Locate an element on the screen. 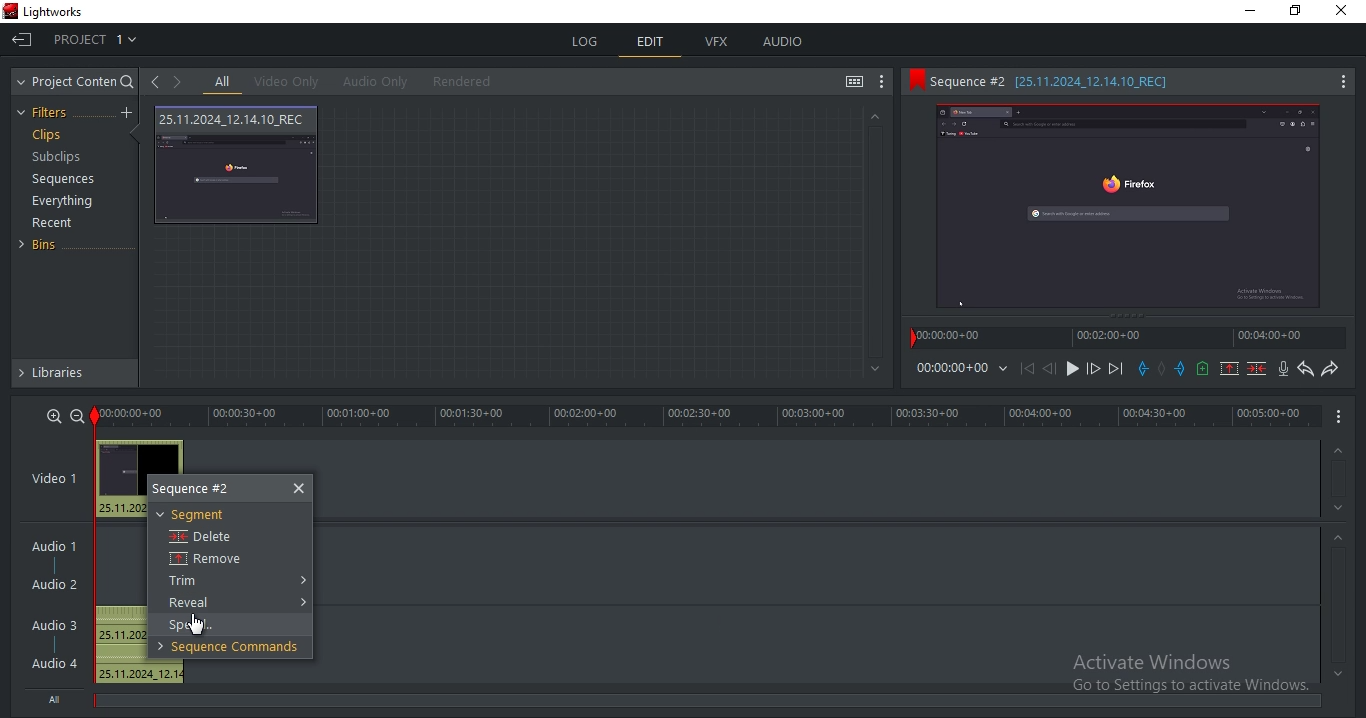  audio only is located at coordinates (377, 81).